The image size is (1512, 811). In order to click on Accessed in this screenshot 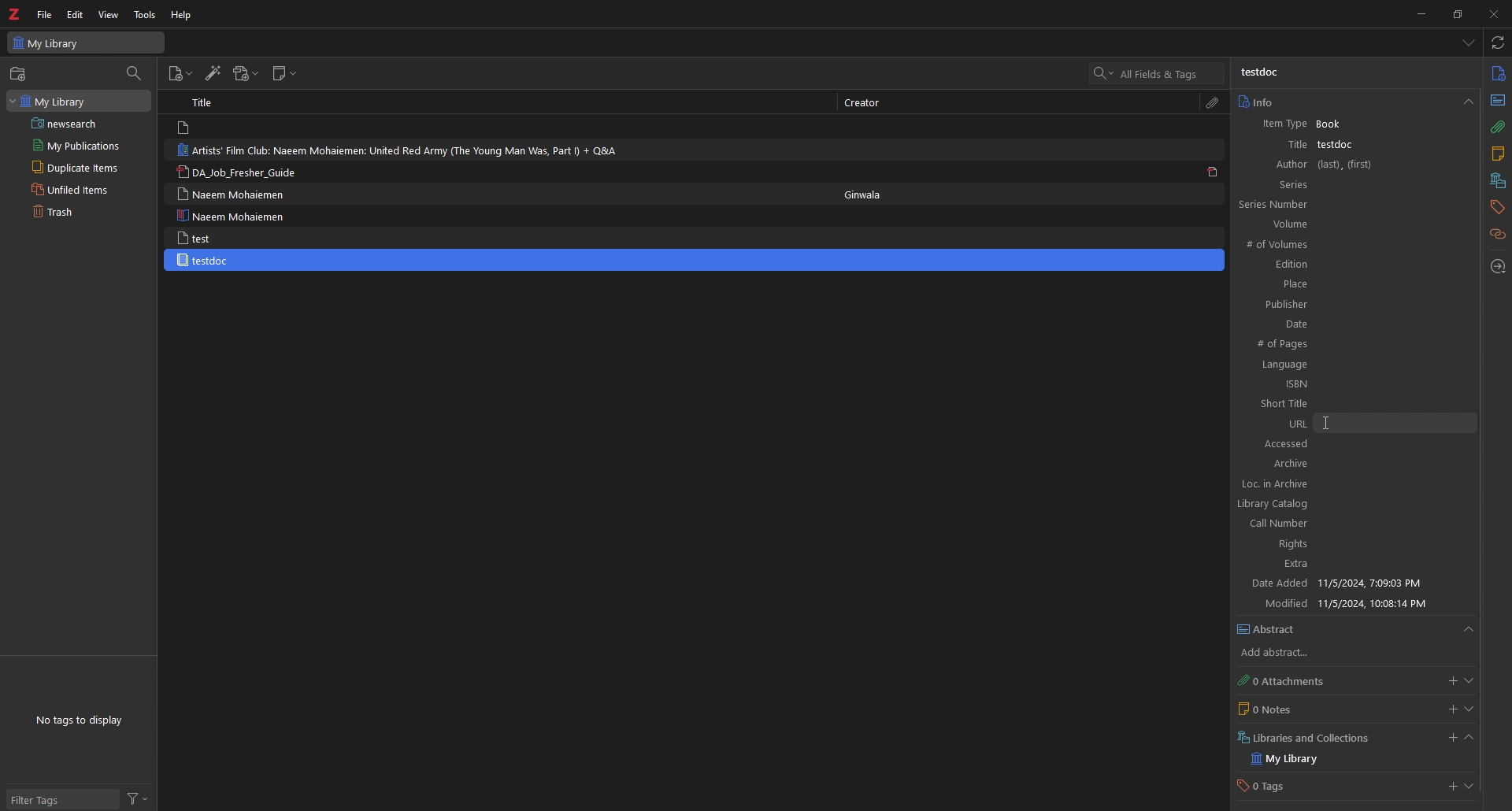, I will do `click(1357, 445)`.